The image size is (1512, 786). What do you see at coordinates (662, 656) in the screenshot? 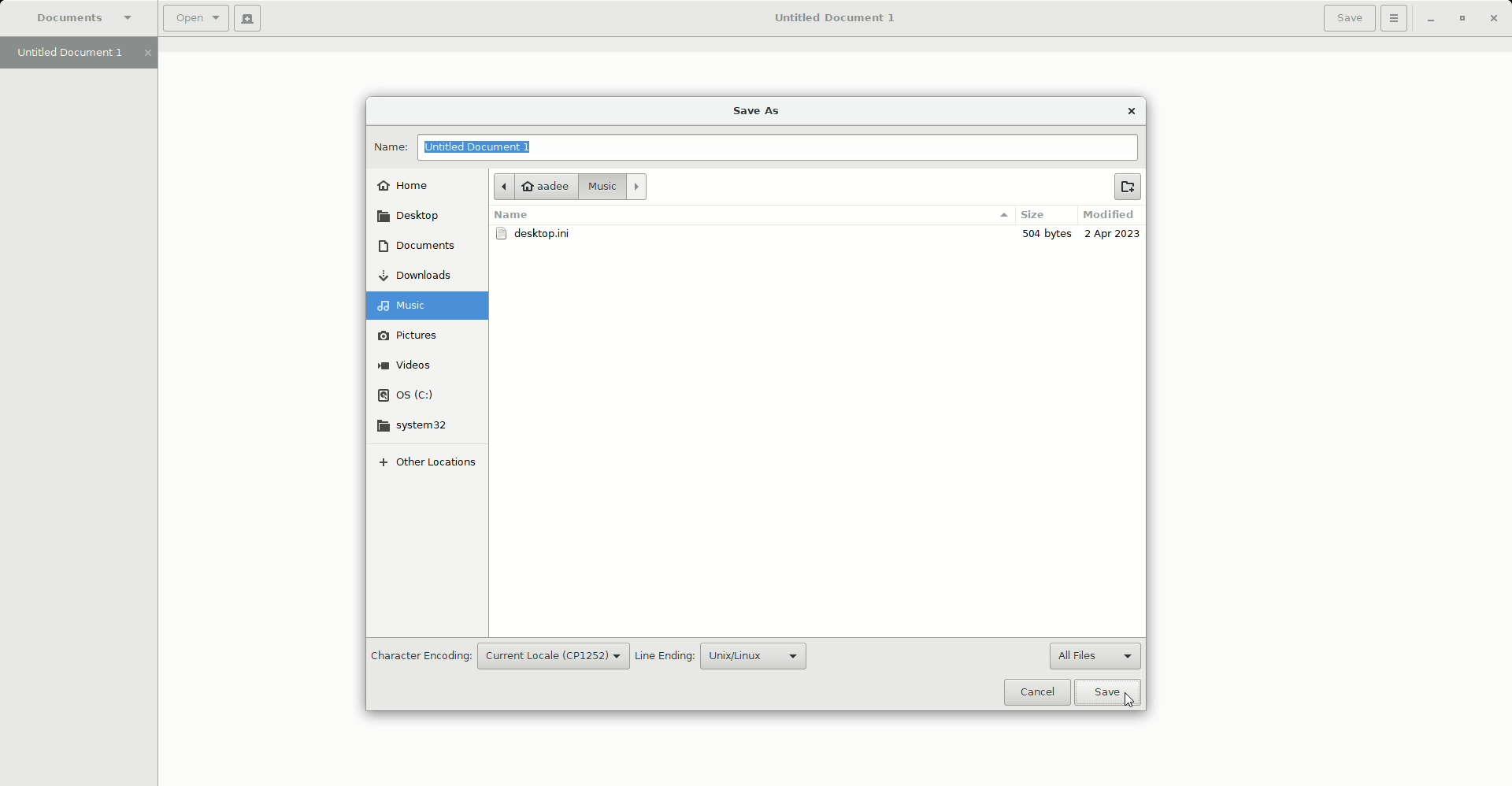
I see `Line Ending` at bounding box center [662, 656].